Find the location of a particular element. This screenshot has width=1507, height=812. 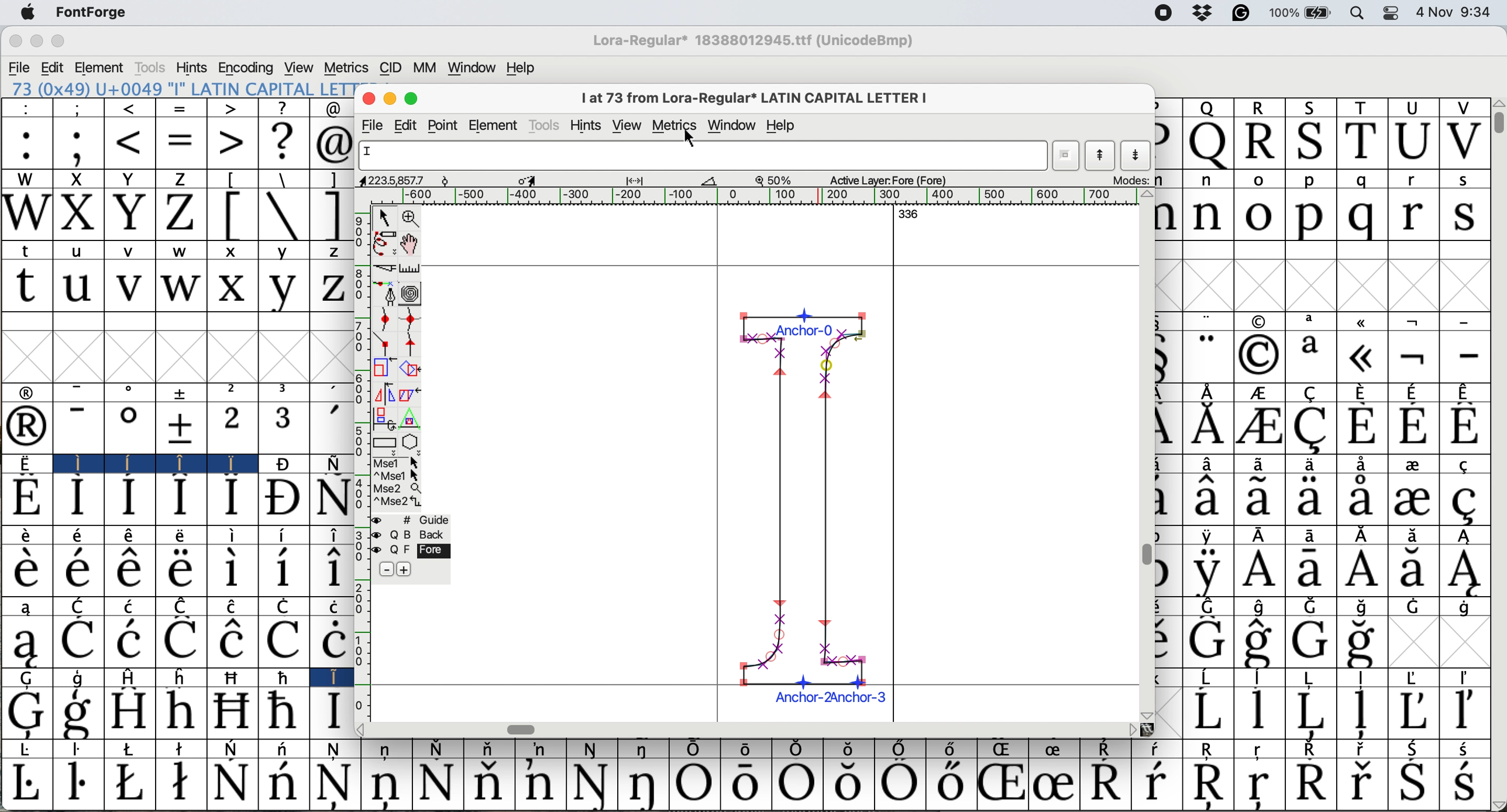

Symbol is located at coordinates (80, 750).